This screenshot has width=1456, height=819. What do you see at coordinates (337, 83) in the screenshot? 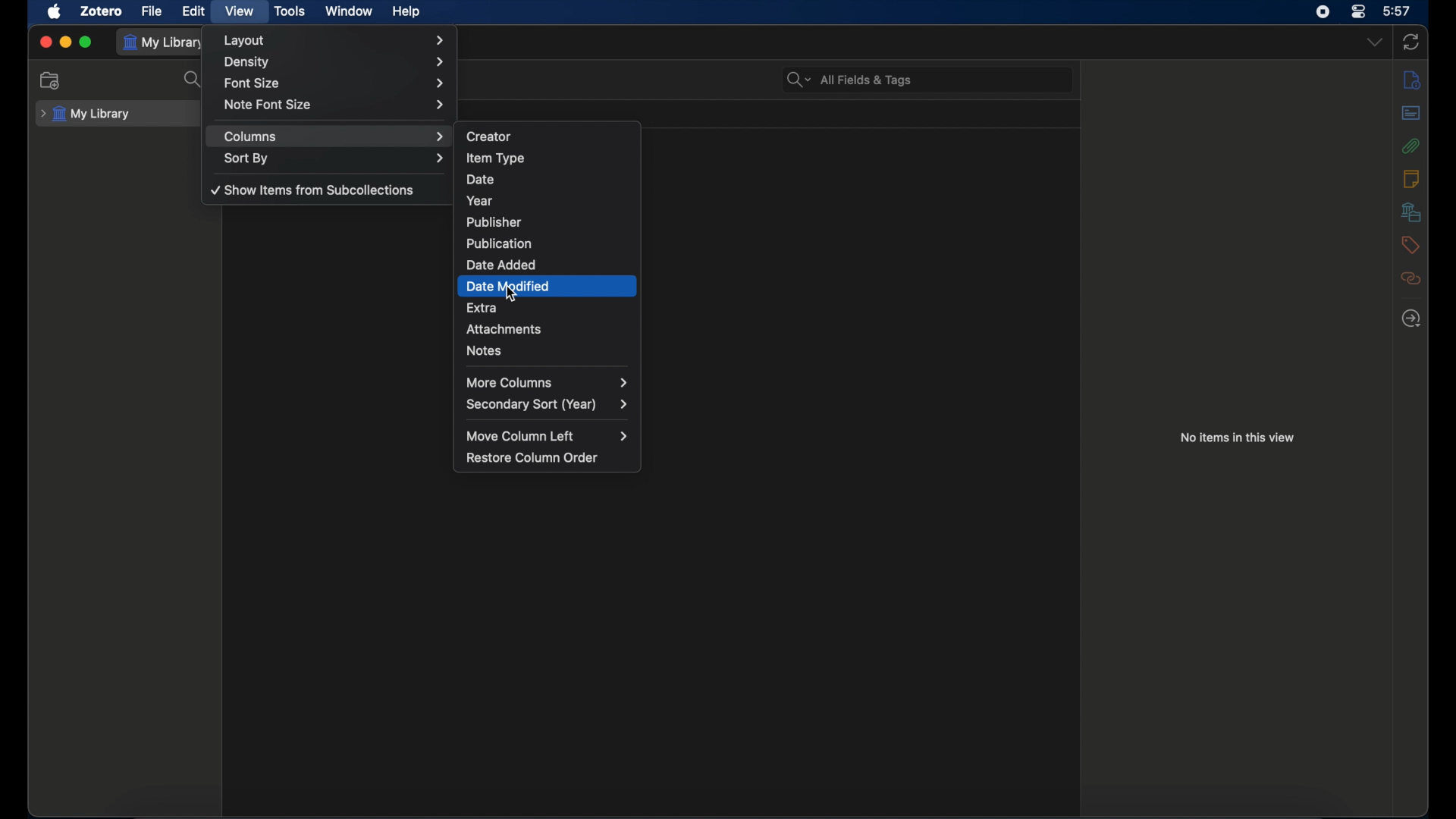
I see `font size` at bounding box center [337, 83].